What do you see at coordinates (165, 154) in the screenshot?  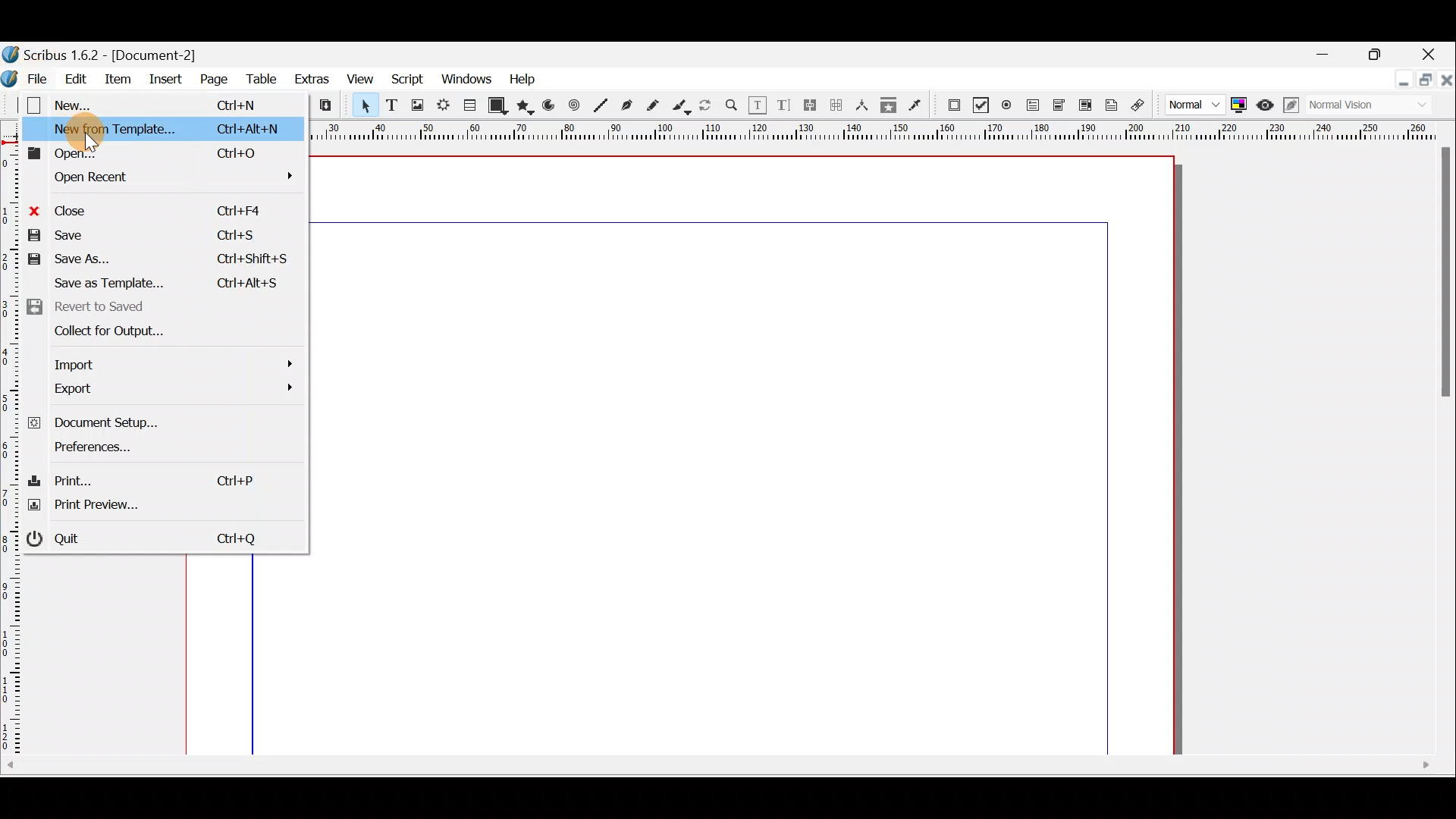 I see `Open` at bounding box center [165, 154].